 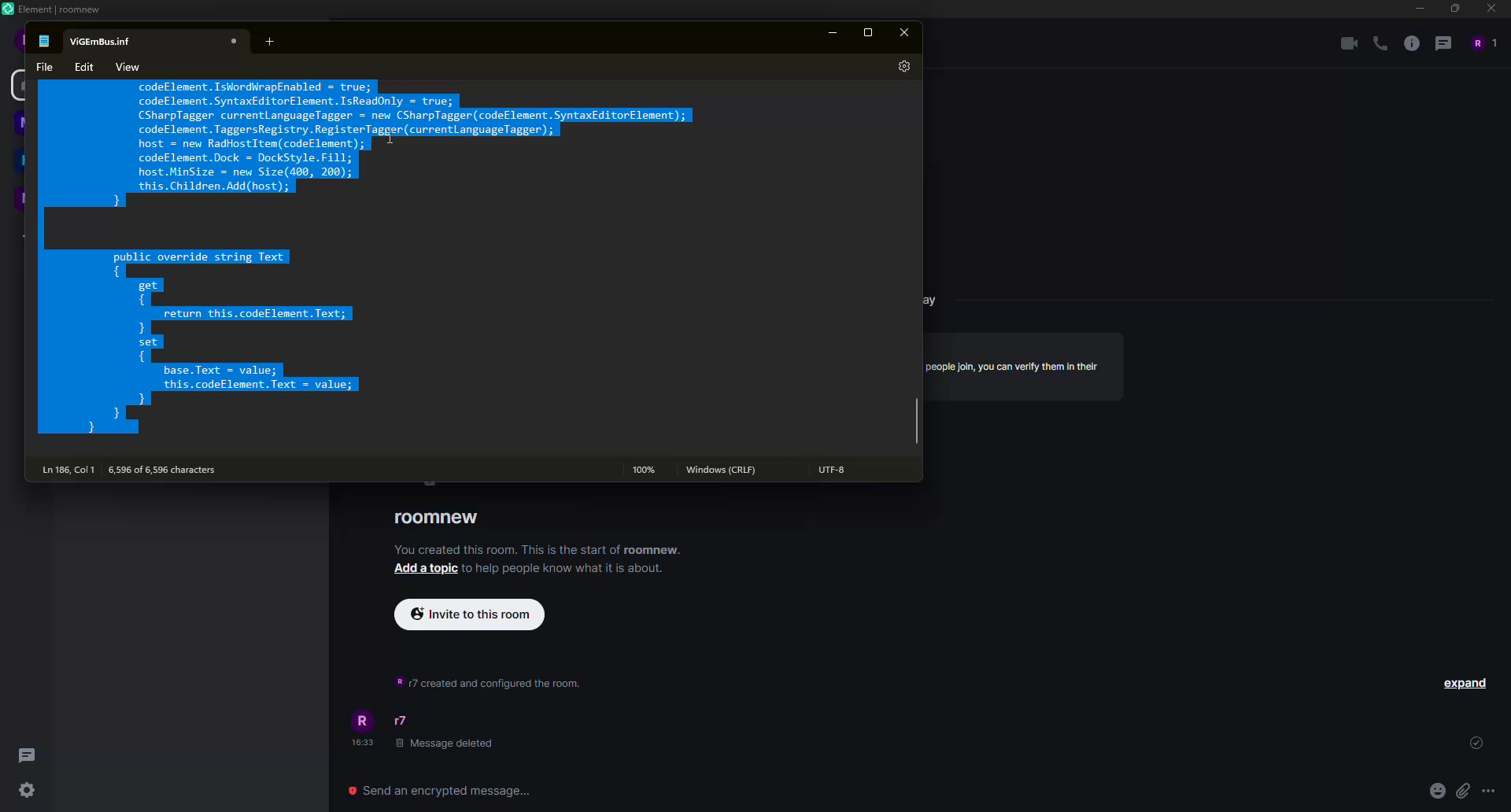 What do you see at coordinates (1490, 9) in the screenshot?
I see `close` at bounding box center [1490, 9].